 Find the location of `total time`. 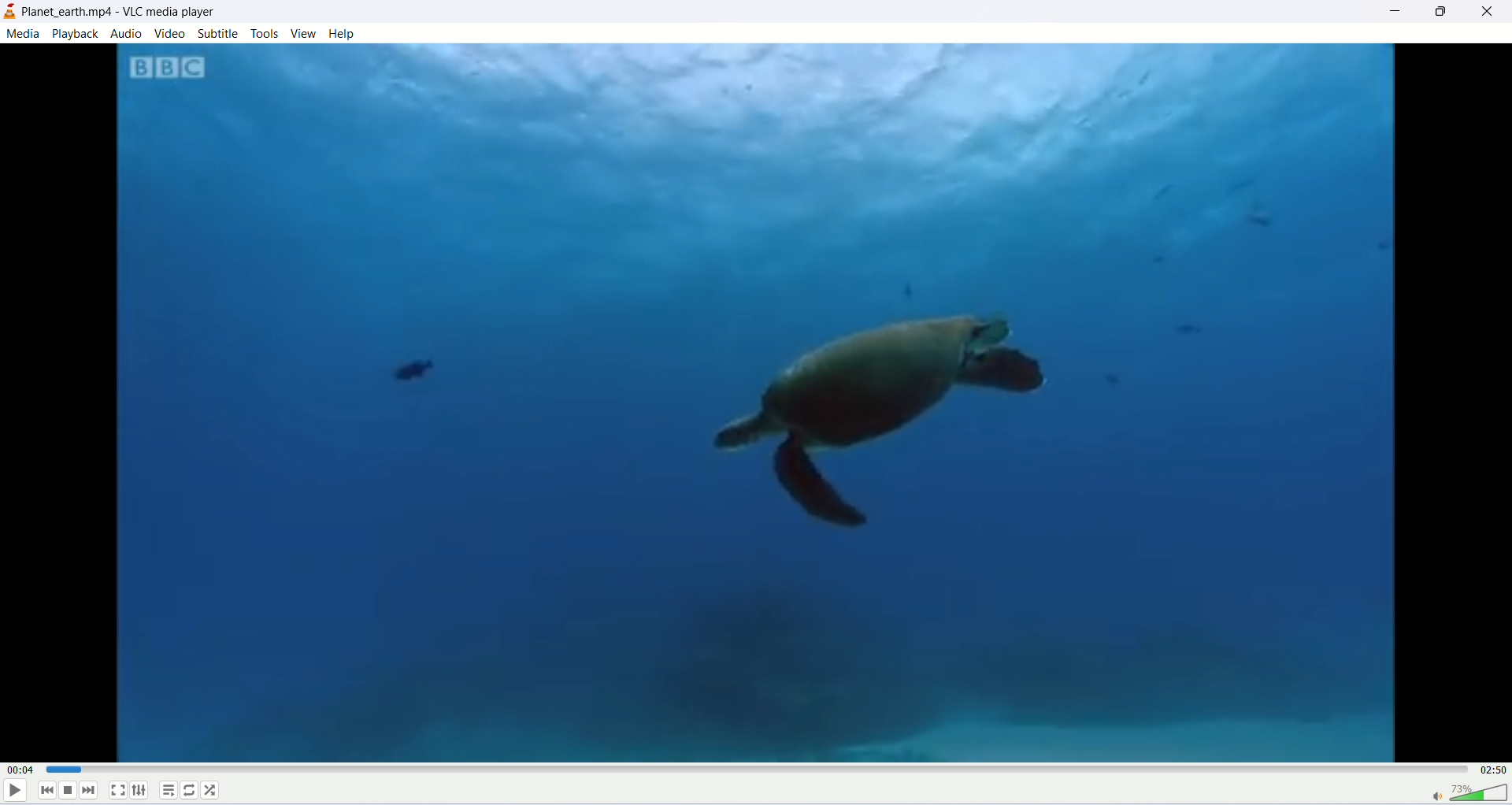

total time is located at coordinates (1493, 768).